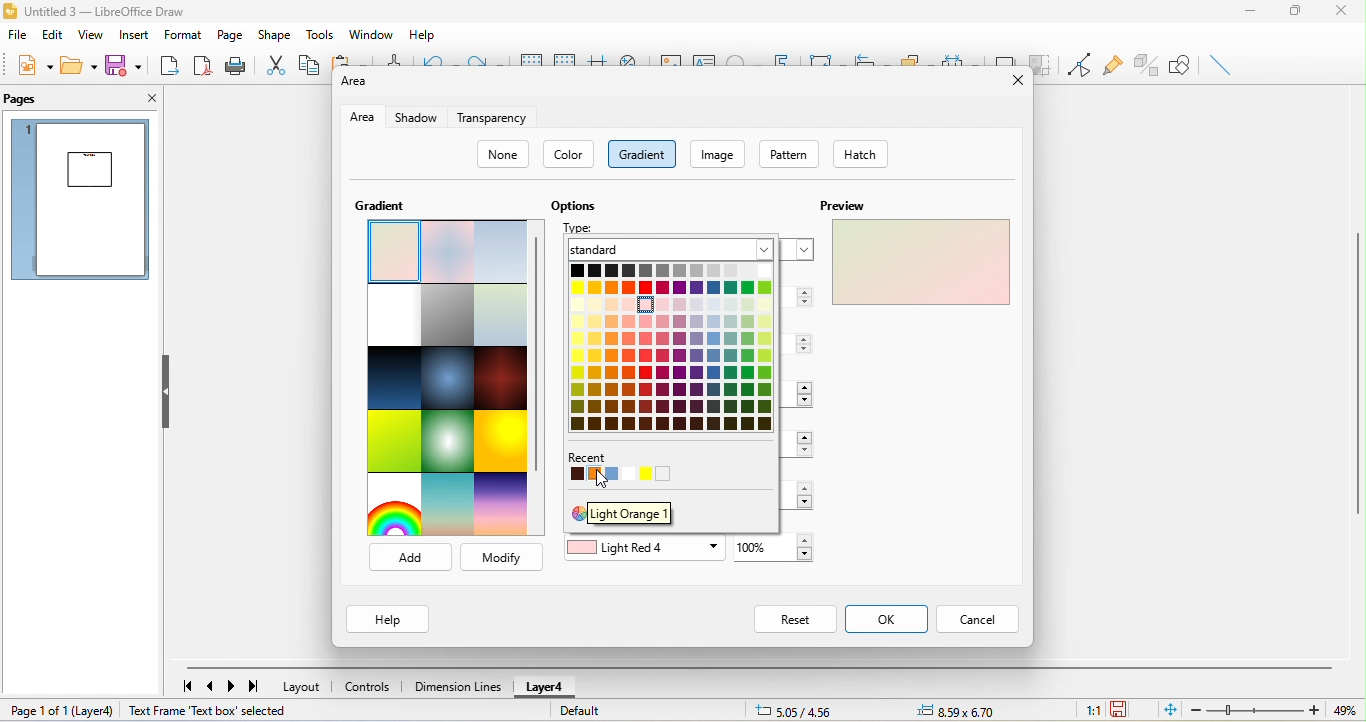  What do you see at coordinates (806, 443) in the screenshot?
I see `transition-0%` at bounding box center [806, 443].